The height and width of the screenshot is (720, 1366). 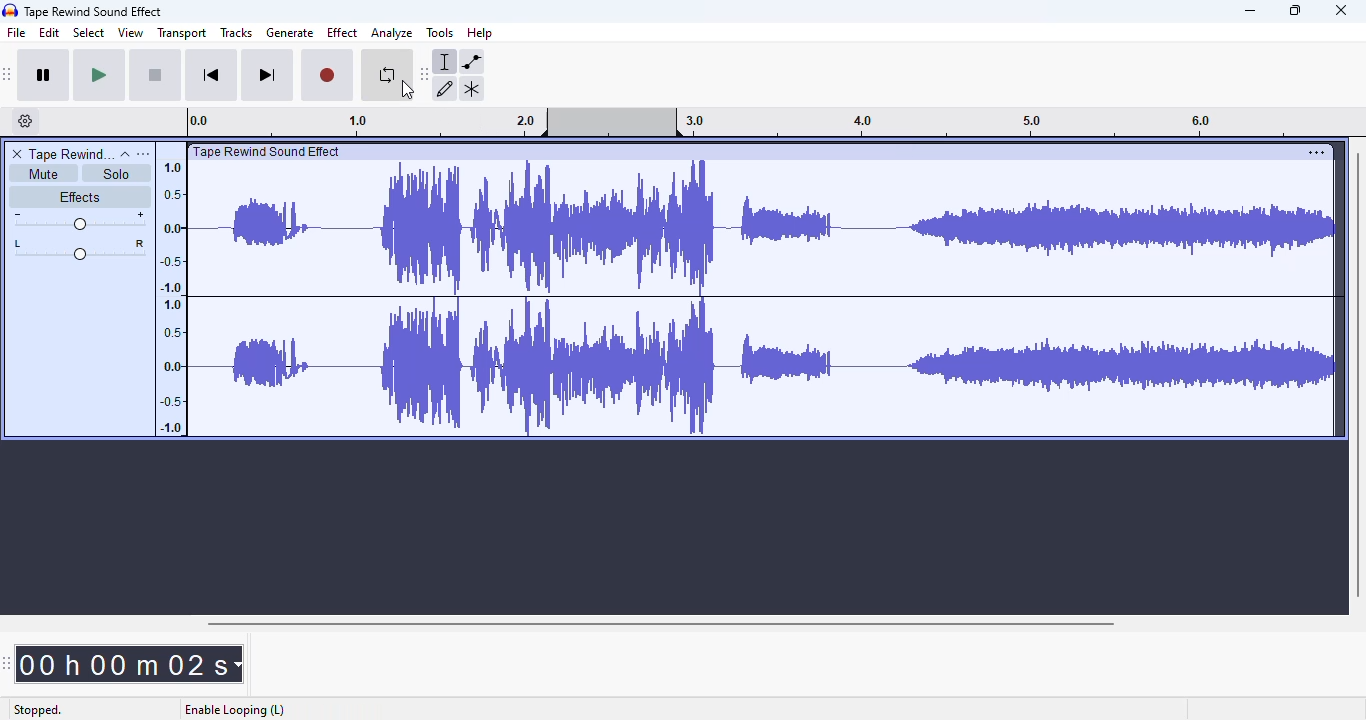 What do you see at coordinates (79, 222) in the screenshot?
I see `volume` at bounding box center [79, 222].